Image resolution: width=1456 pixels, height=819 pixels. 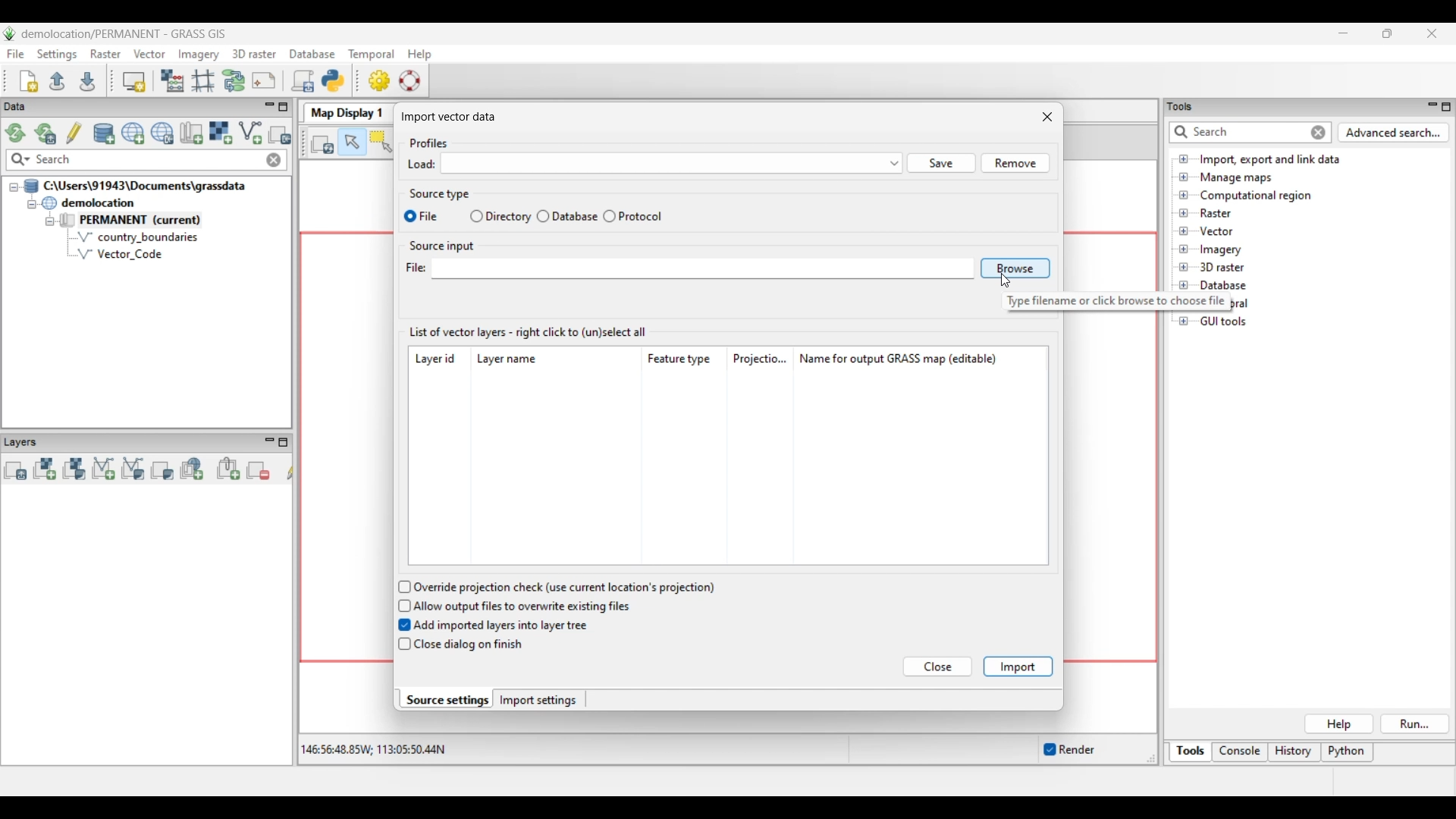 I want to click on Open a simple python code editor, so click(x=333, y=80).